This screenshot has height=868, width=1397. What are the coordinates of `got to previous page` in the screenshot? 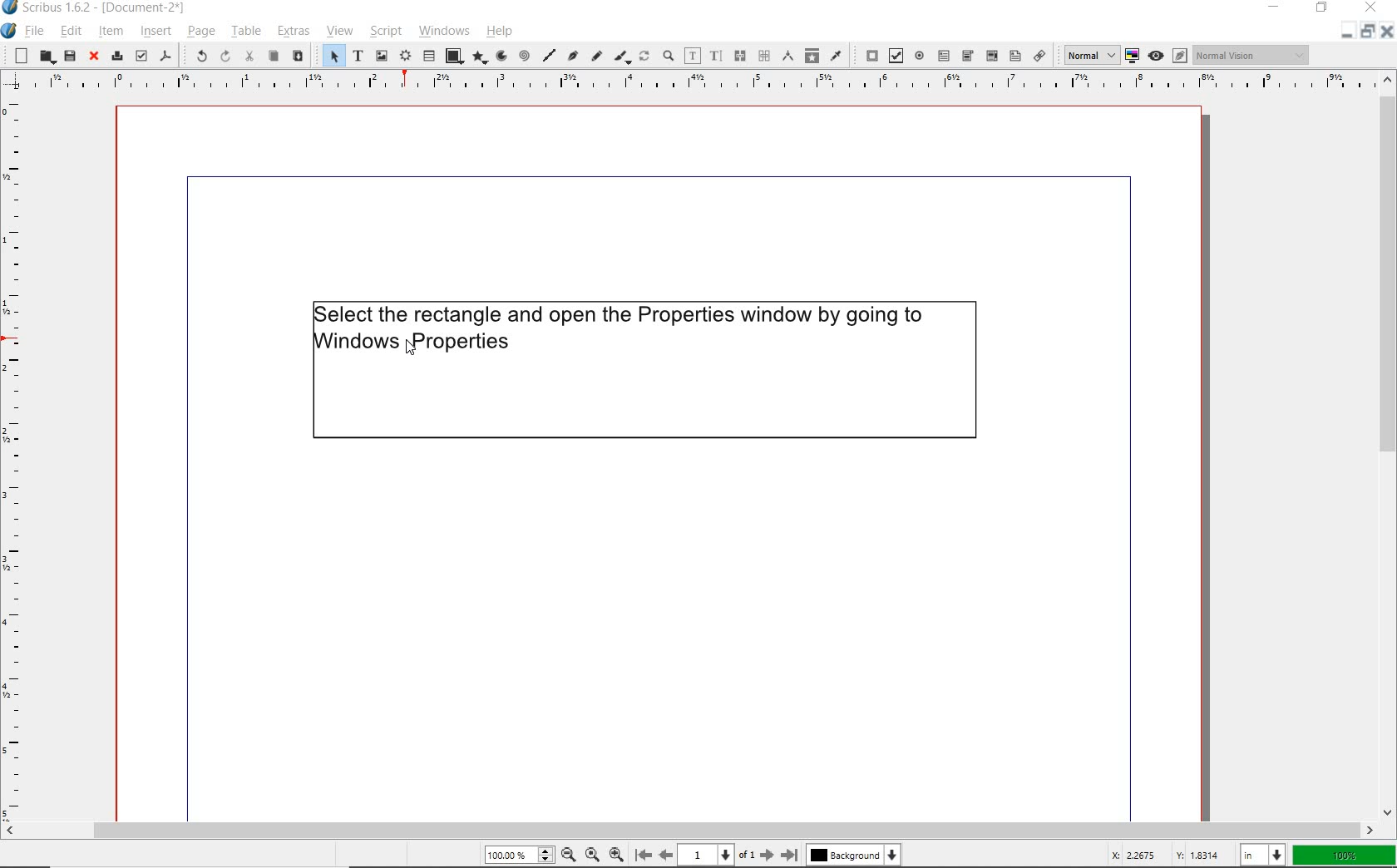 It's located at (666, 855).